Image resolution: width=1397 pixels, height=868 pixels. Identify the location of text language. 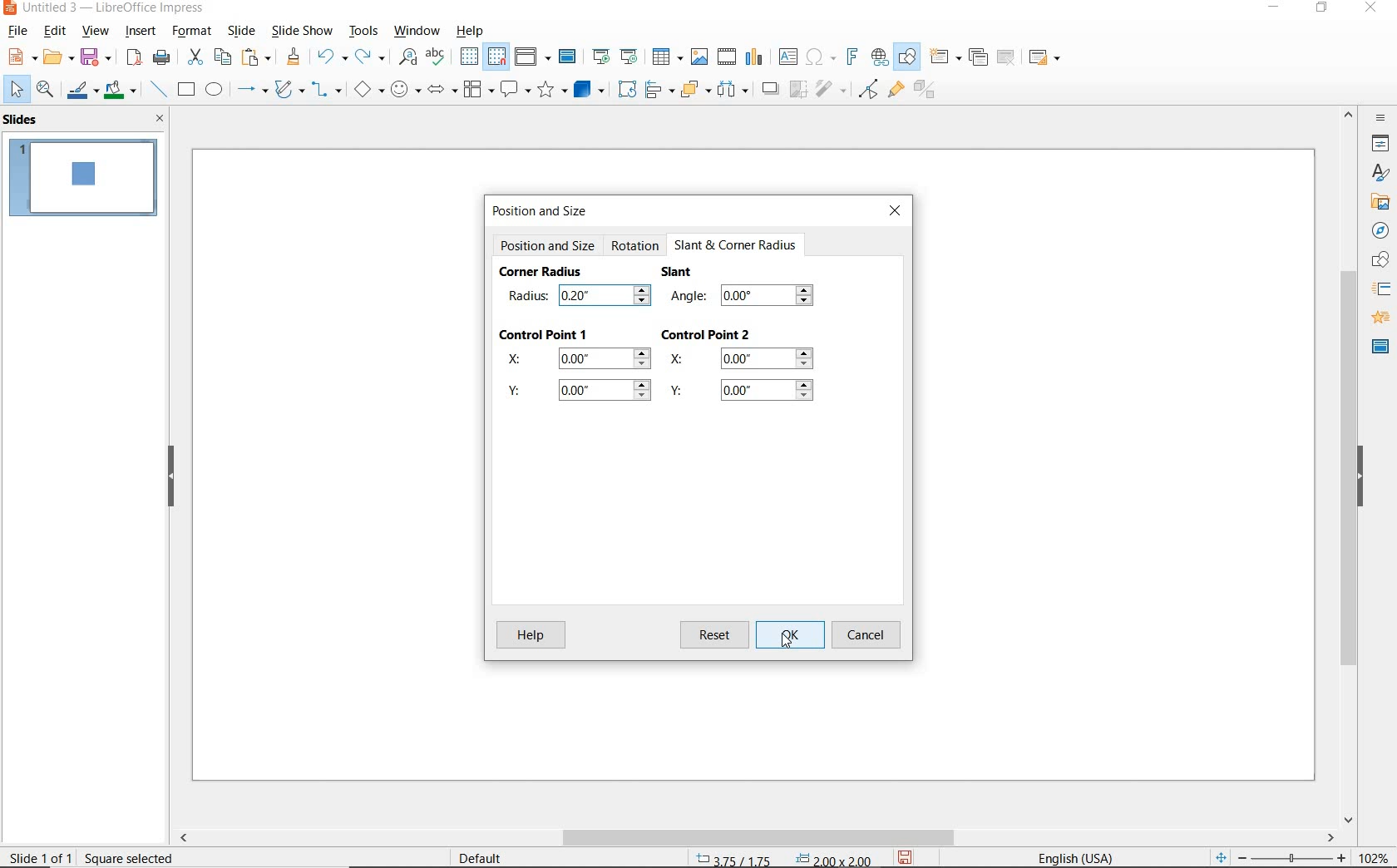
(1083, 857).